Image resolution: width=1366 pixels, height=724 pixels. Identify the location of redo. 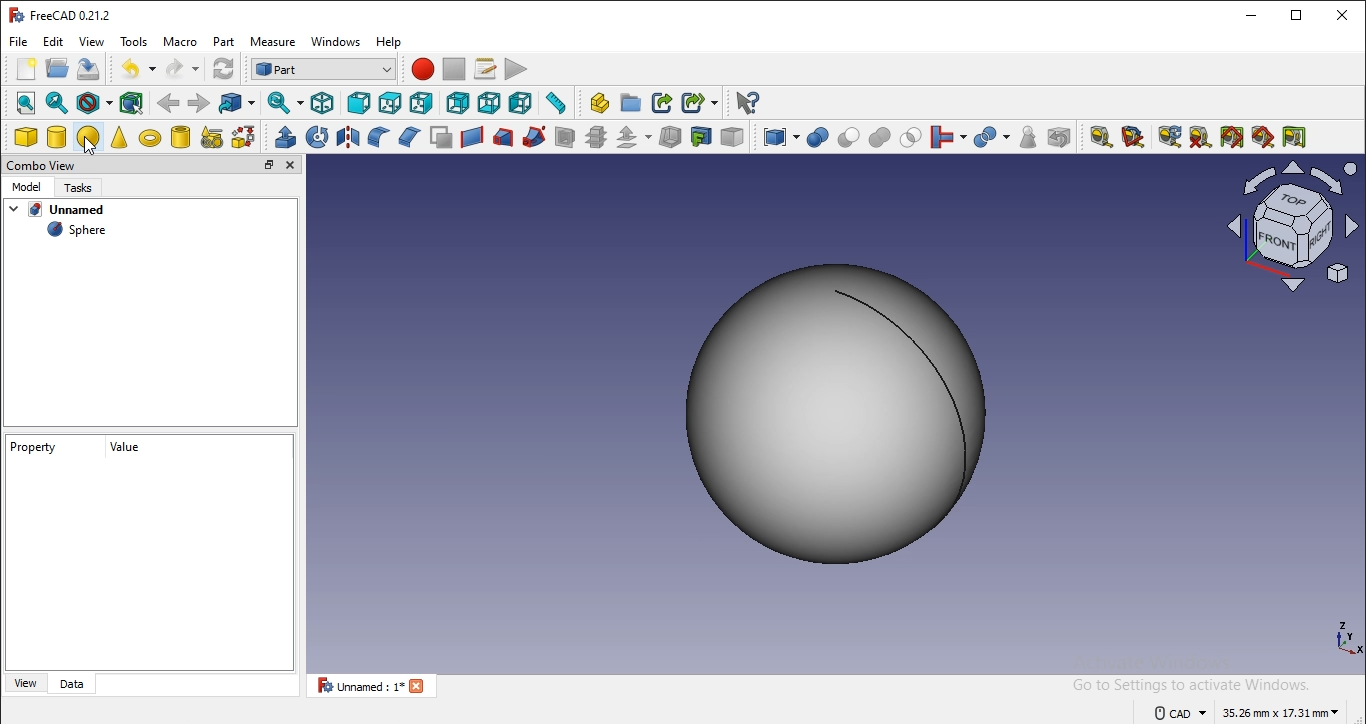
(176, 68).